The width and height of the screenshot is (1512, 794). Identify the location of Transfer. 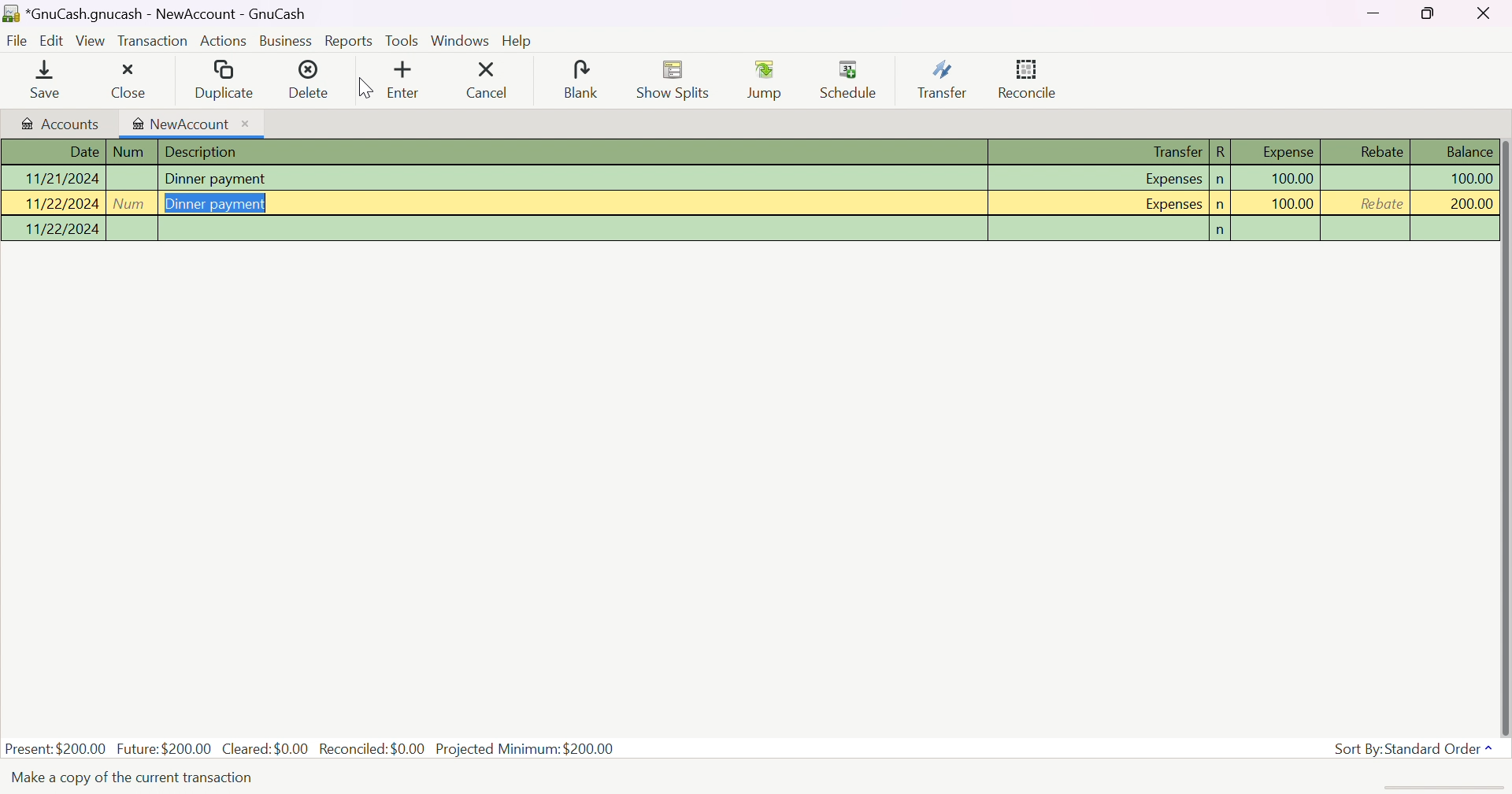
(1166, 151).